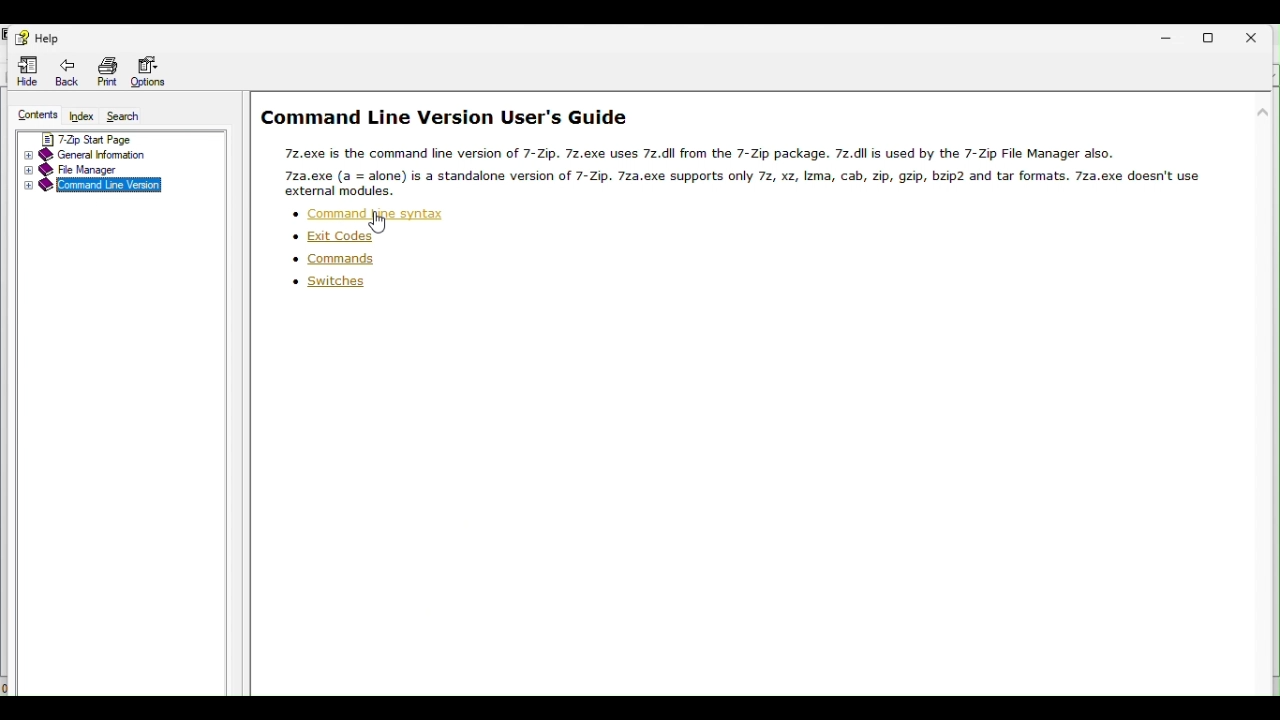 Image resolution: width=1280 pixels, height=720 pixels. Describe the element at coordinates (151, 68) in the screenshot. I see `options ` at that location.